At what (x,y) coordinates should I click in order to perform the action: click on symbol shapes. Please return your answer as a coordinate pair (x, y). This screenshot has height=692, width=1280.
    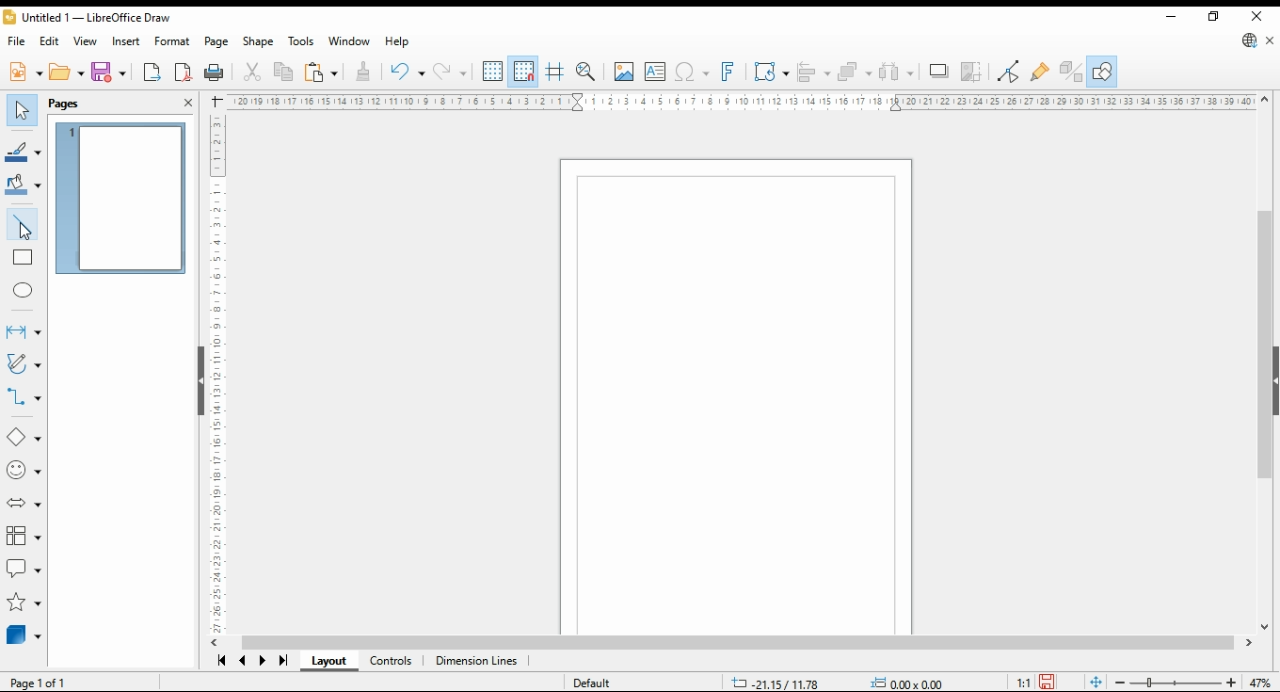
    Looking at the image, I should click on (25, 471).